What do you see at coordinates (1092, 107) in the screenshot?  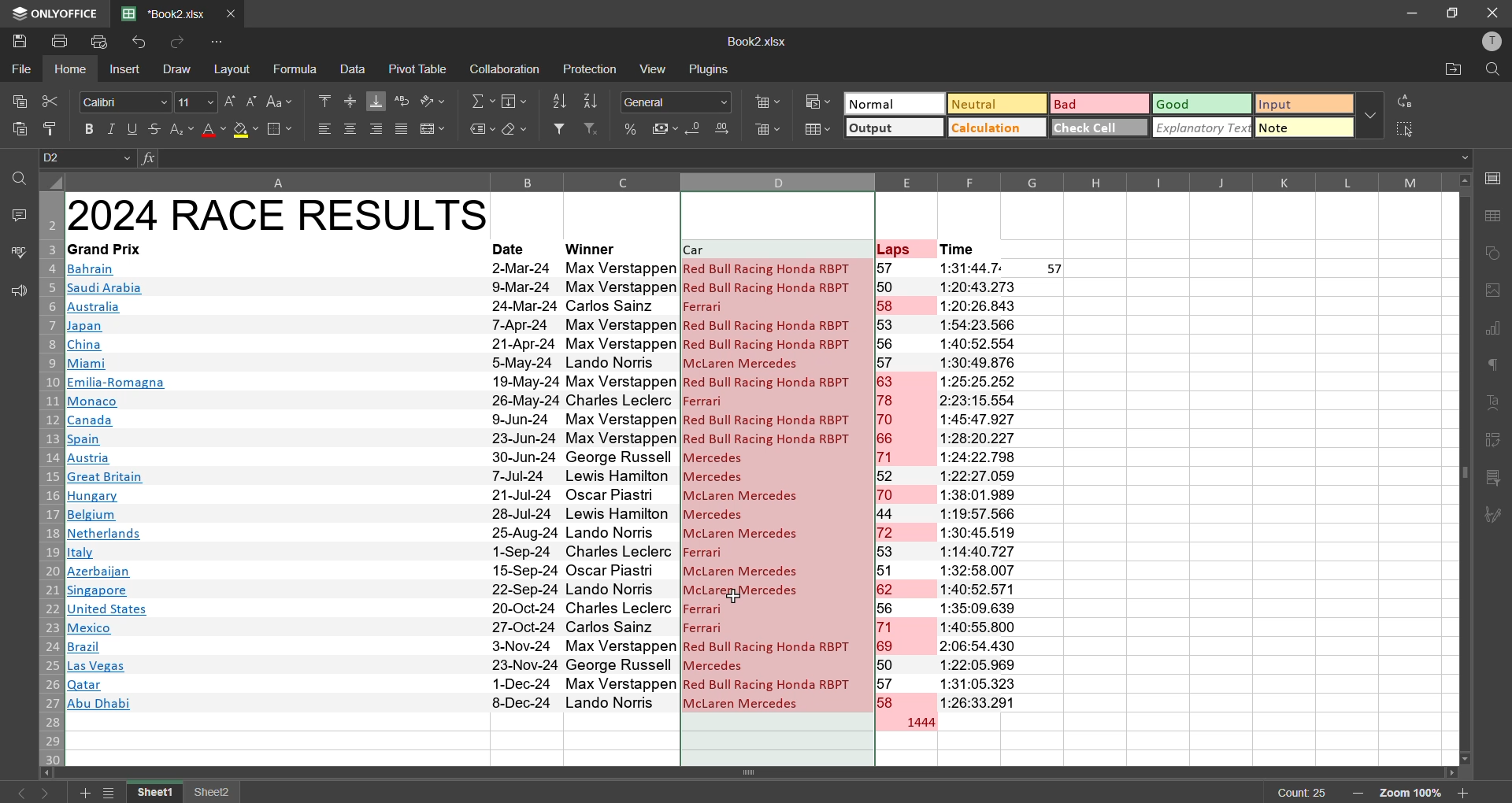 I see `bad` at bounding box center [1092, 107].